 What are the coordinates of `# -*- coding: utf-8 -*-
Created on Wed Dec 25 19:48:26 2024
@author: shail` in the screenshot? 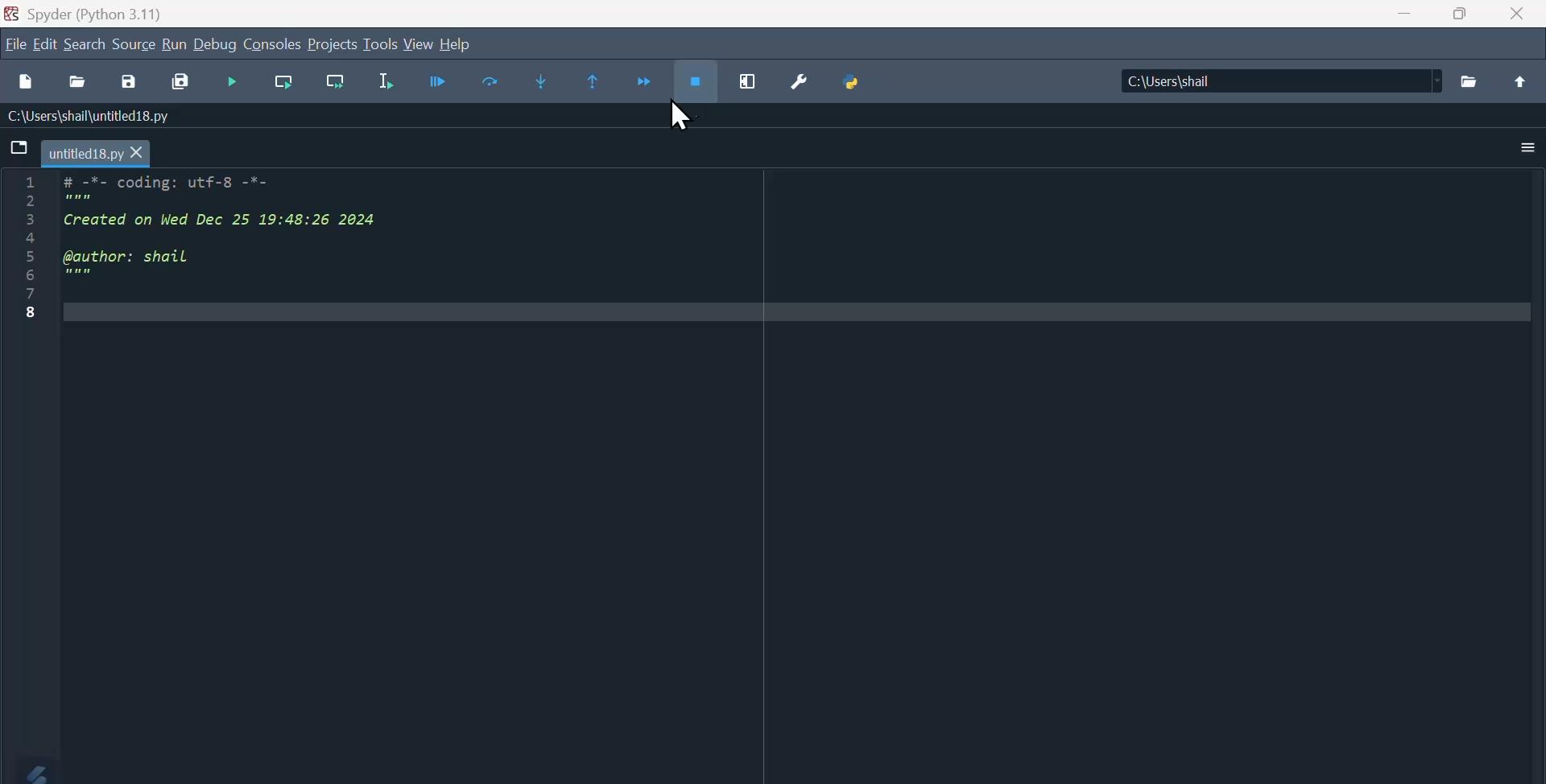 It's located at (225, 229).